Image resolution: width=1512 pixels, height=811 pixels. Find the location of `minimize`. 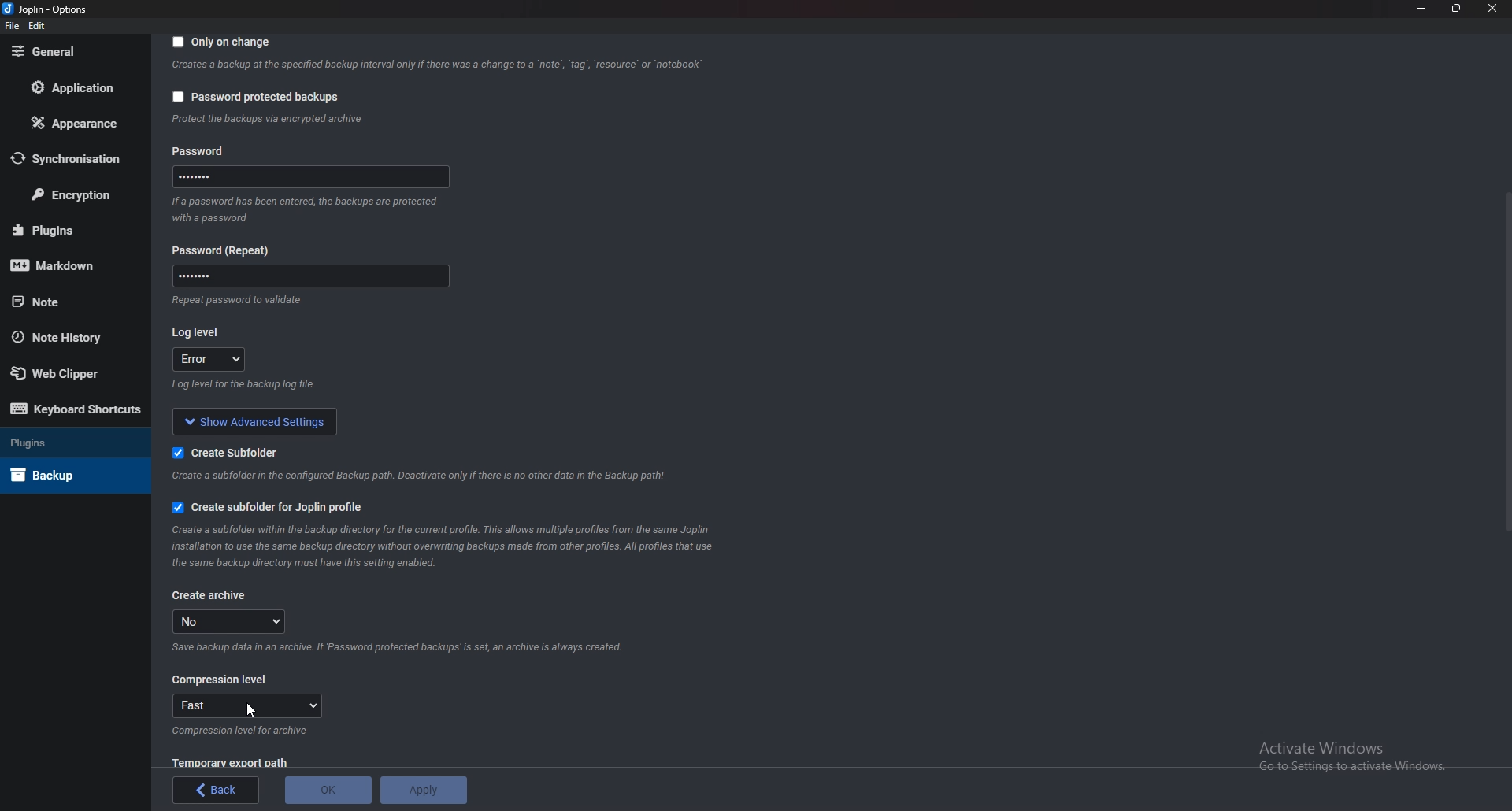

minimize is located at coordinates (1421, 8).